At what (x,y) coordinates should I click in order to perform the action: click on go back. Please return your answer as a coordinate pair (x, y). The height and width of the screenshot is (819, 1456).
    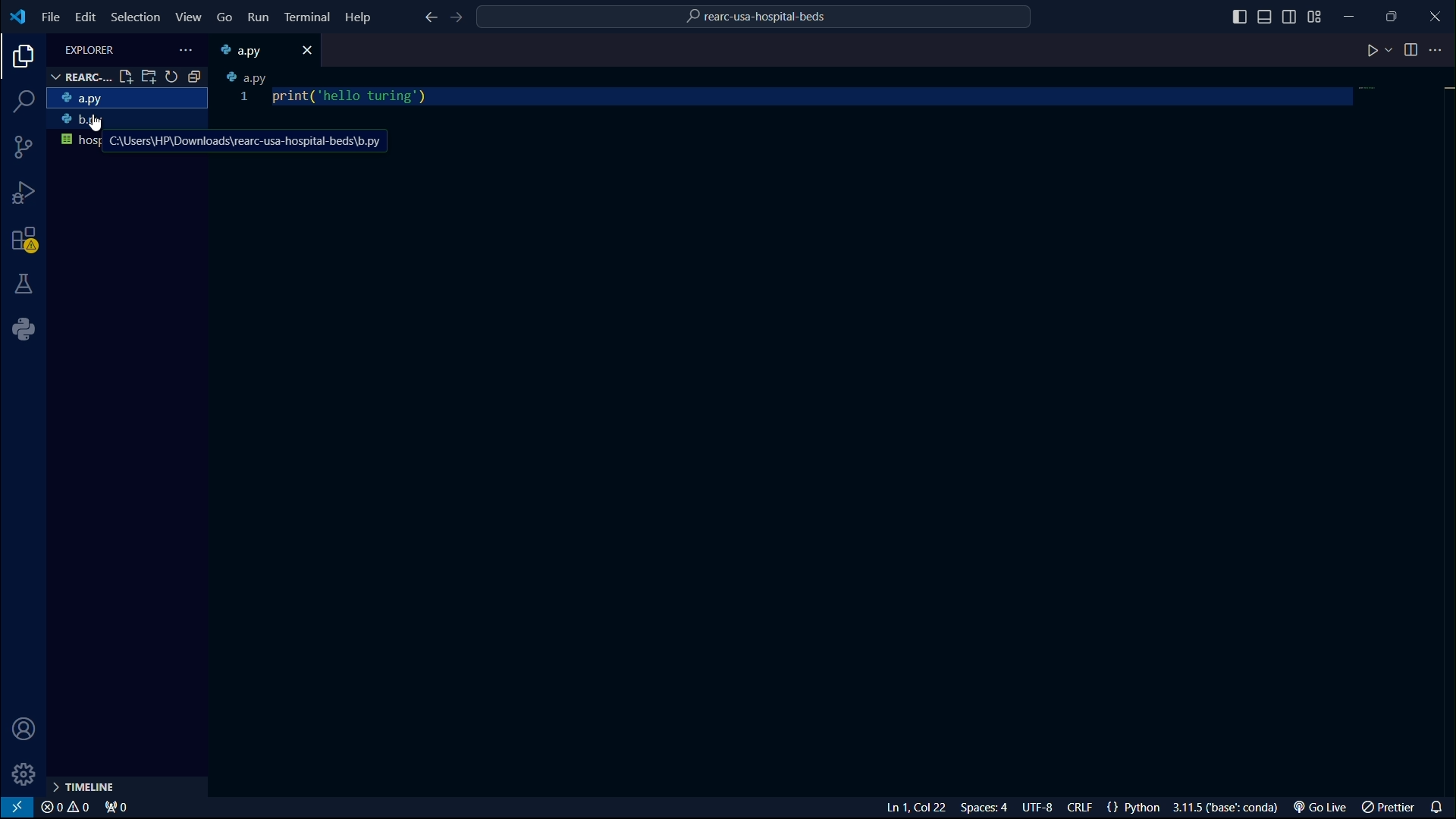
    Looking at the image, I should click on (430, 18).